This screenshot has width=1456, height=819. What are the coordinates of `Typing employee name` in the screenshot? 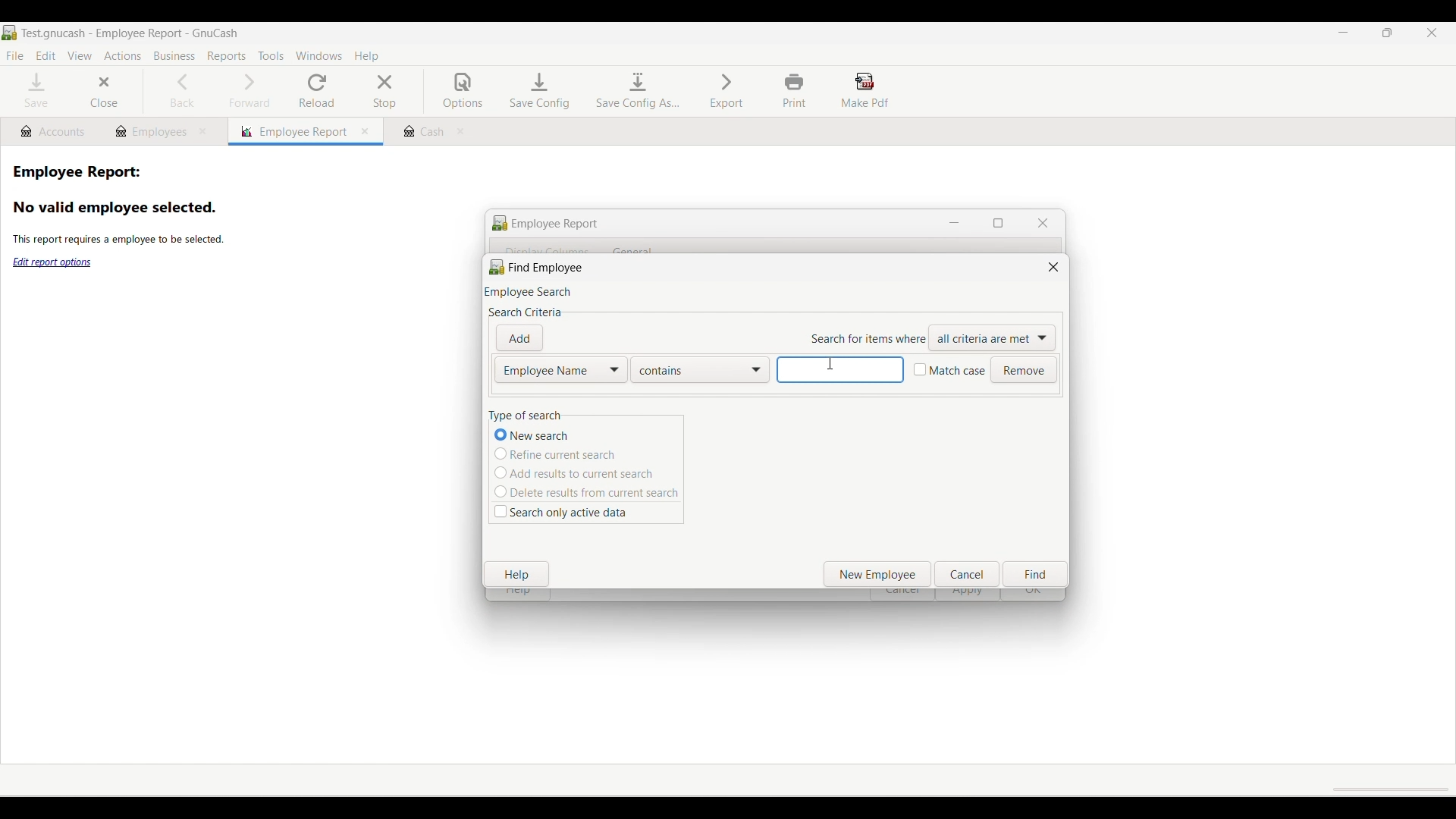 It's located at (839, 369).